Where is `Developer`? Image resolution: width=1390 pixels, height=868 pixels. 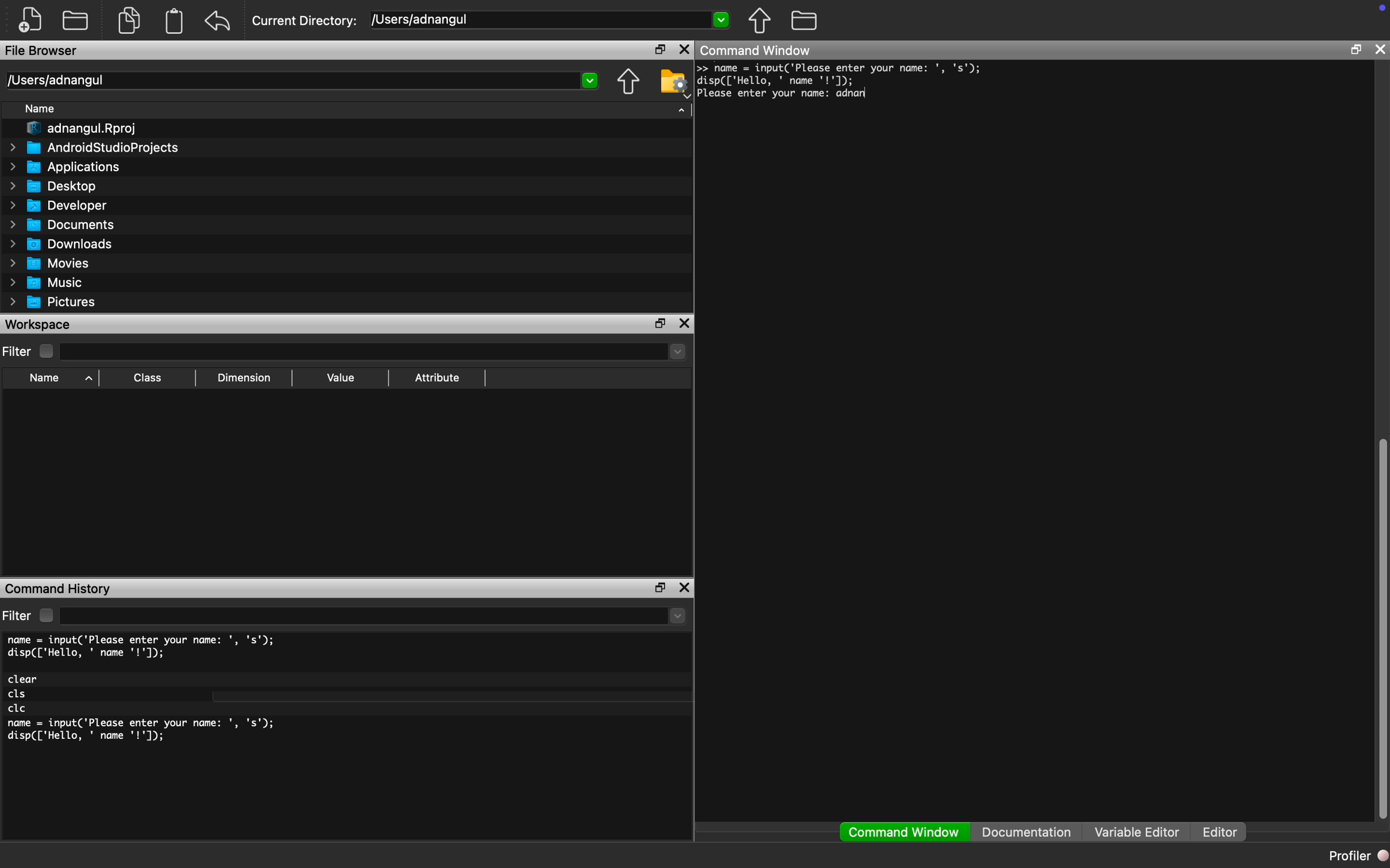 Developer is located at coordinates (56, 206).